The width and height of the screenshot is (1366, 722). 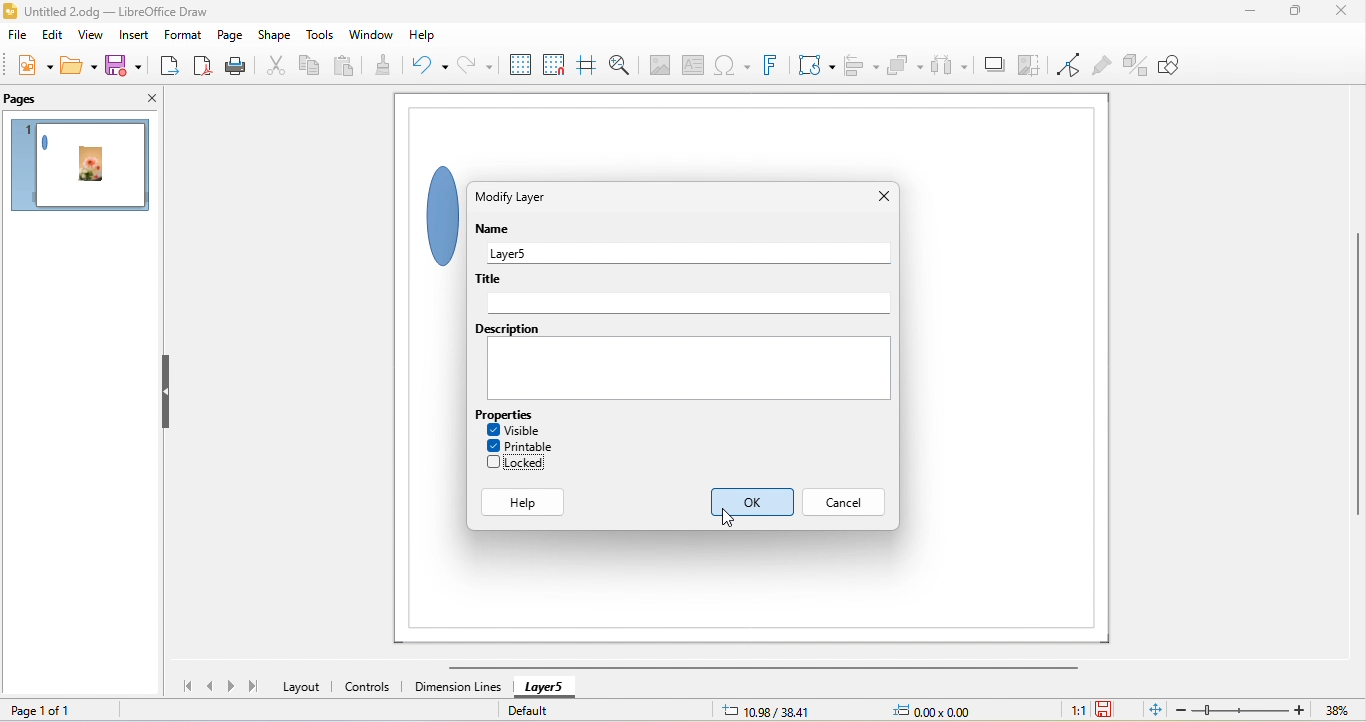 What do you see at coordinates (619, 65) in the screenshot?
I see `zoom and pan` at bounding box center [619, 65].